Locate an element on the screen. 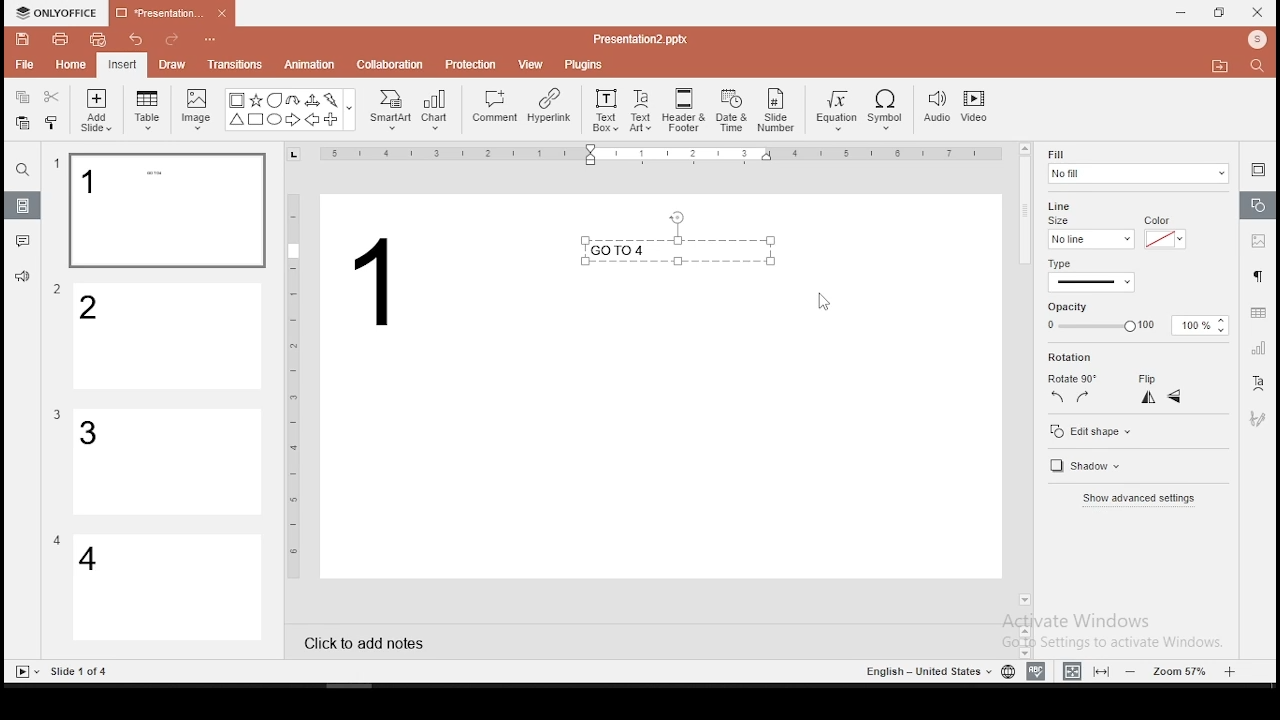 The height and width of the screenshot is (720, 1280). collaboration is located at coordinates (392, 63).